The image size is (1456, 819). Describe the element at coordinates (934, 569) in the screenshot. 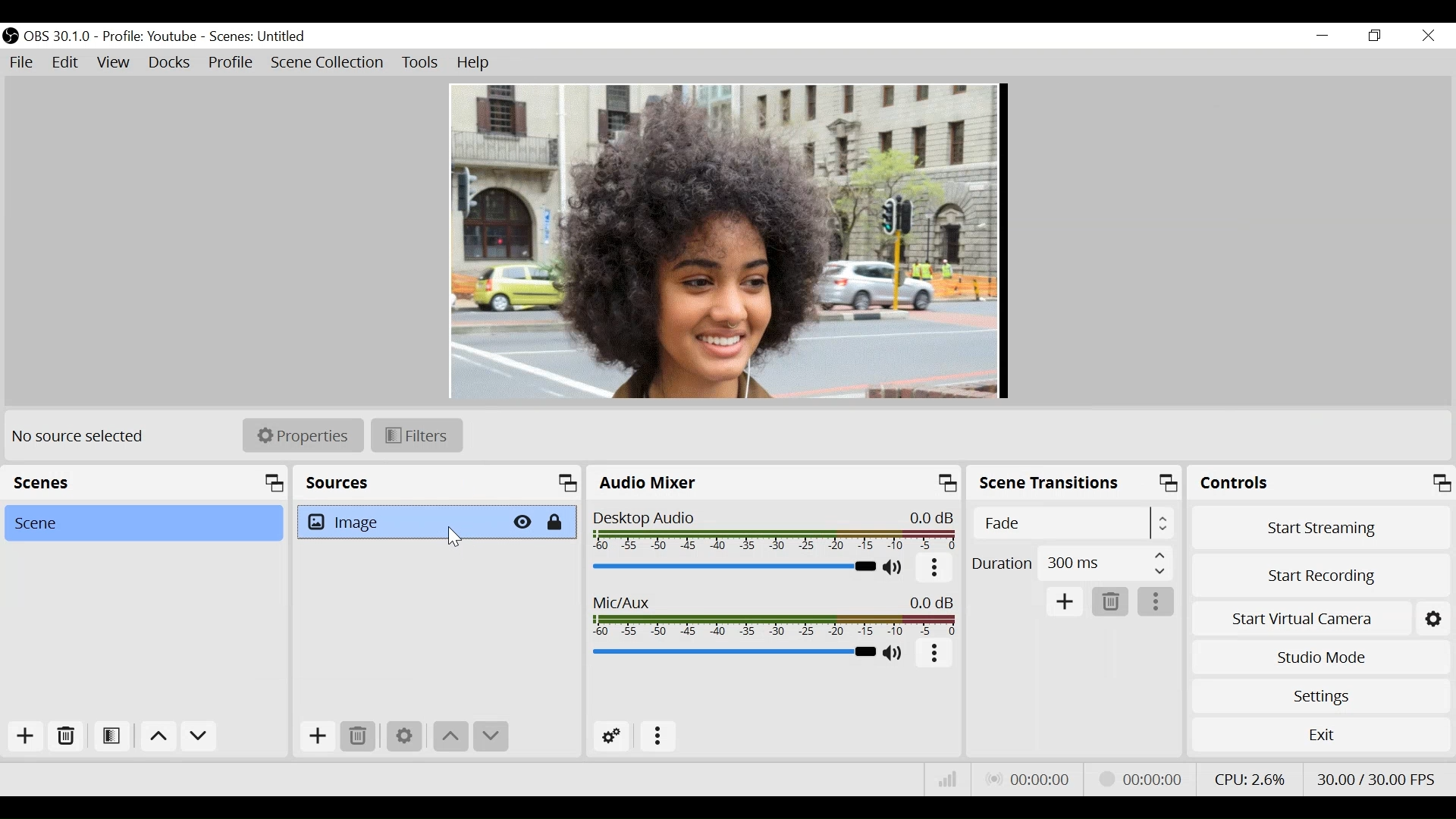

I see `More options` at that location.